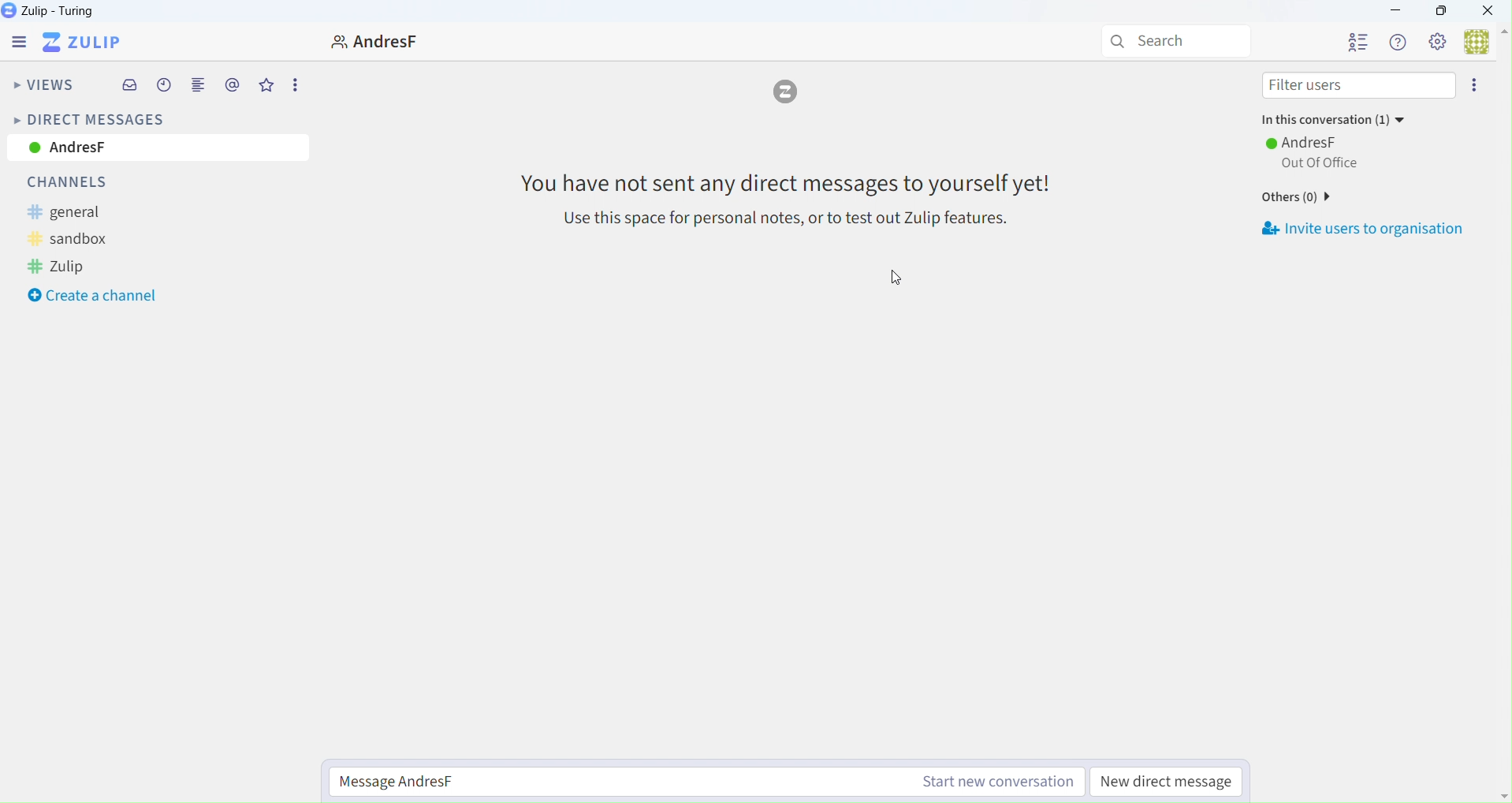 The image size is (1512, 803). What do you see at coordinates (93, 297) in the screenshot?
I see `Create a Channel` at bounding box center [93, 297].